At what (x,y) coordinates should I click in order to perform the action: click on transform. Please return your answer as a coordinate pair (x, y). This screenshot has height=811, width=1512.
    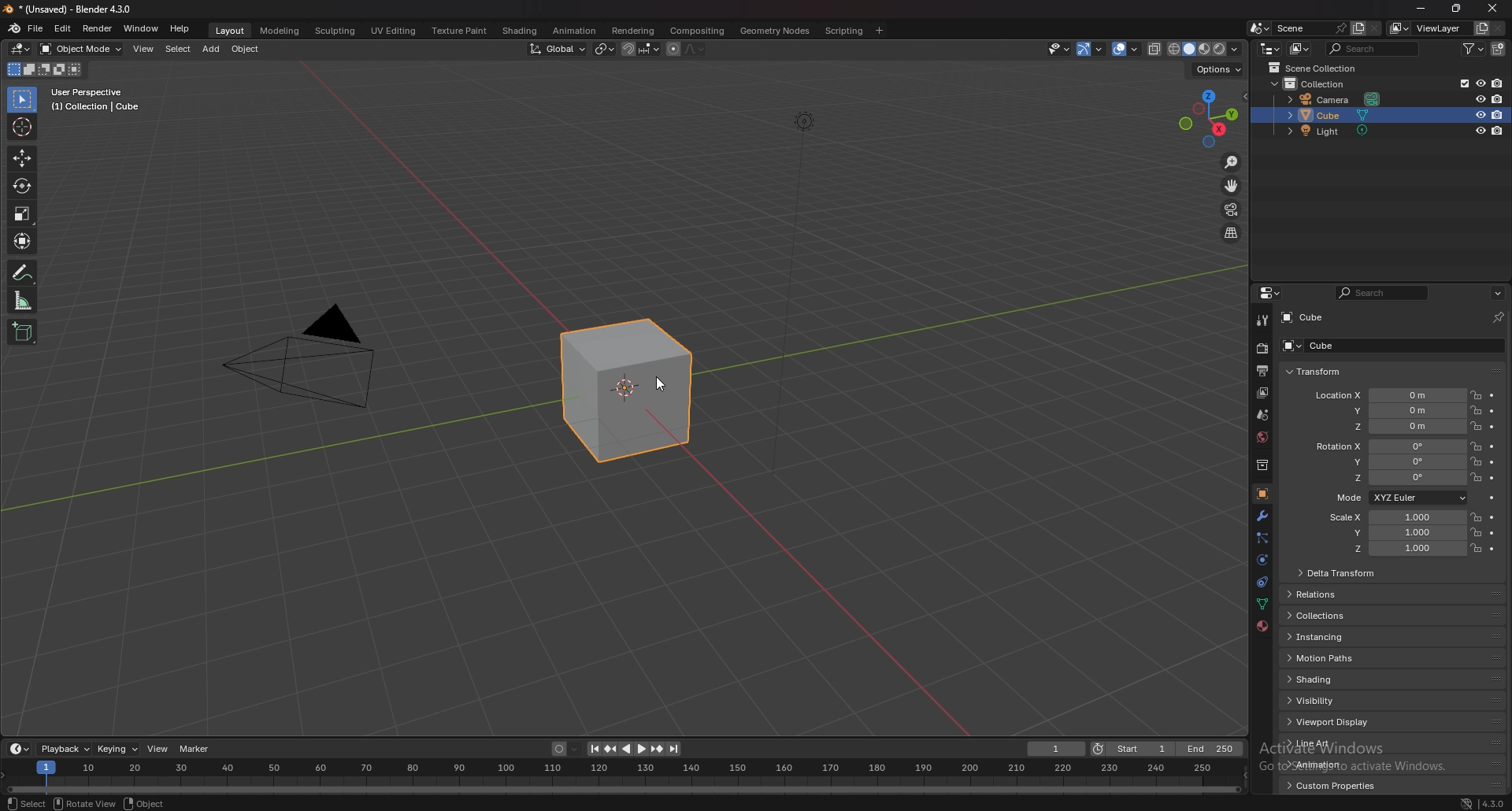
    Looking at the image, I should click on (1333, 370).